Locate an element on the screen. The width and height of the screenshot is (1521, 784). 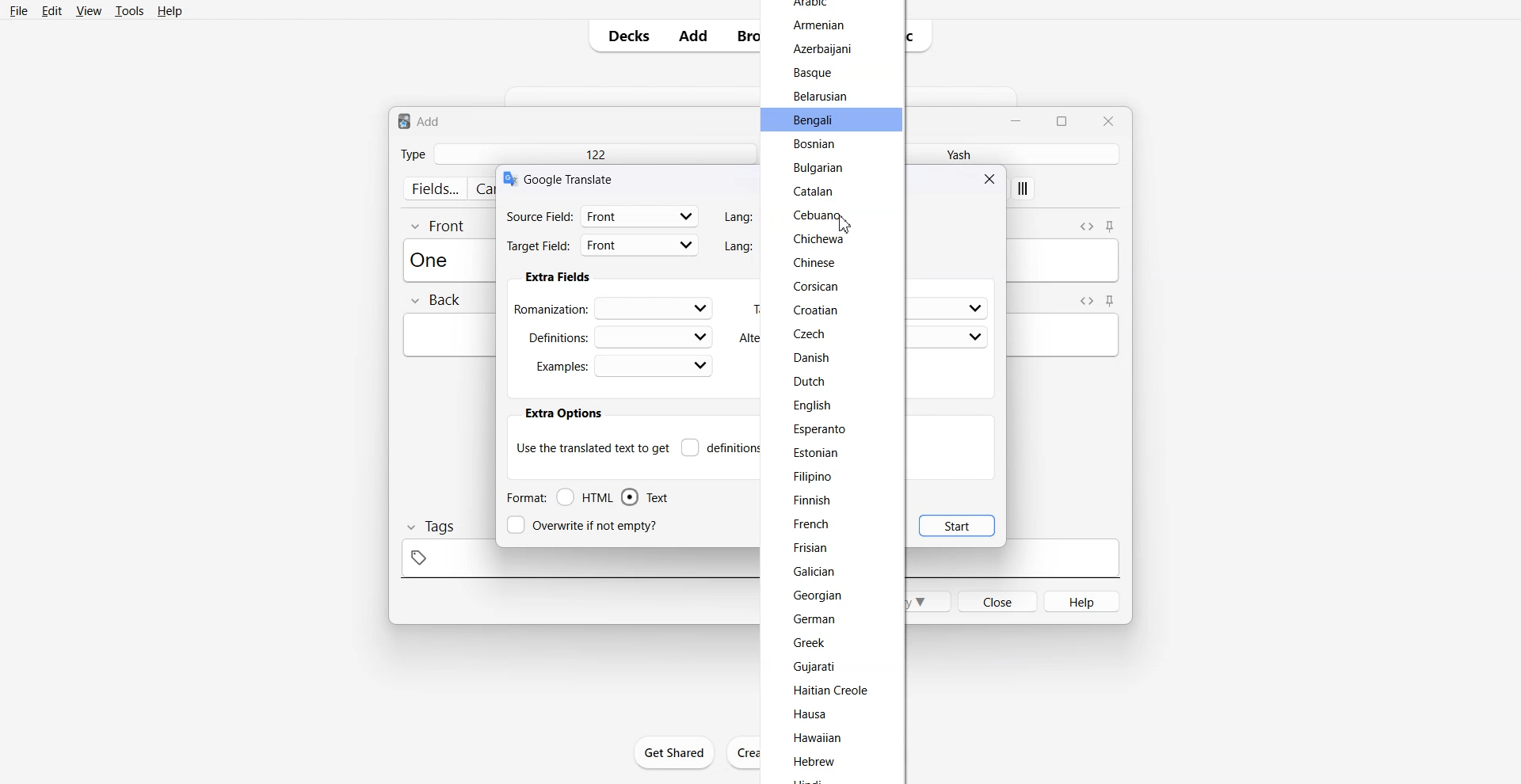
Belarusian is located at coordinates (820, 96).